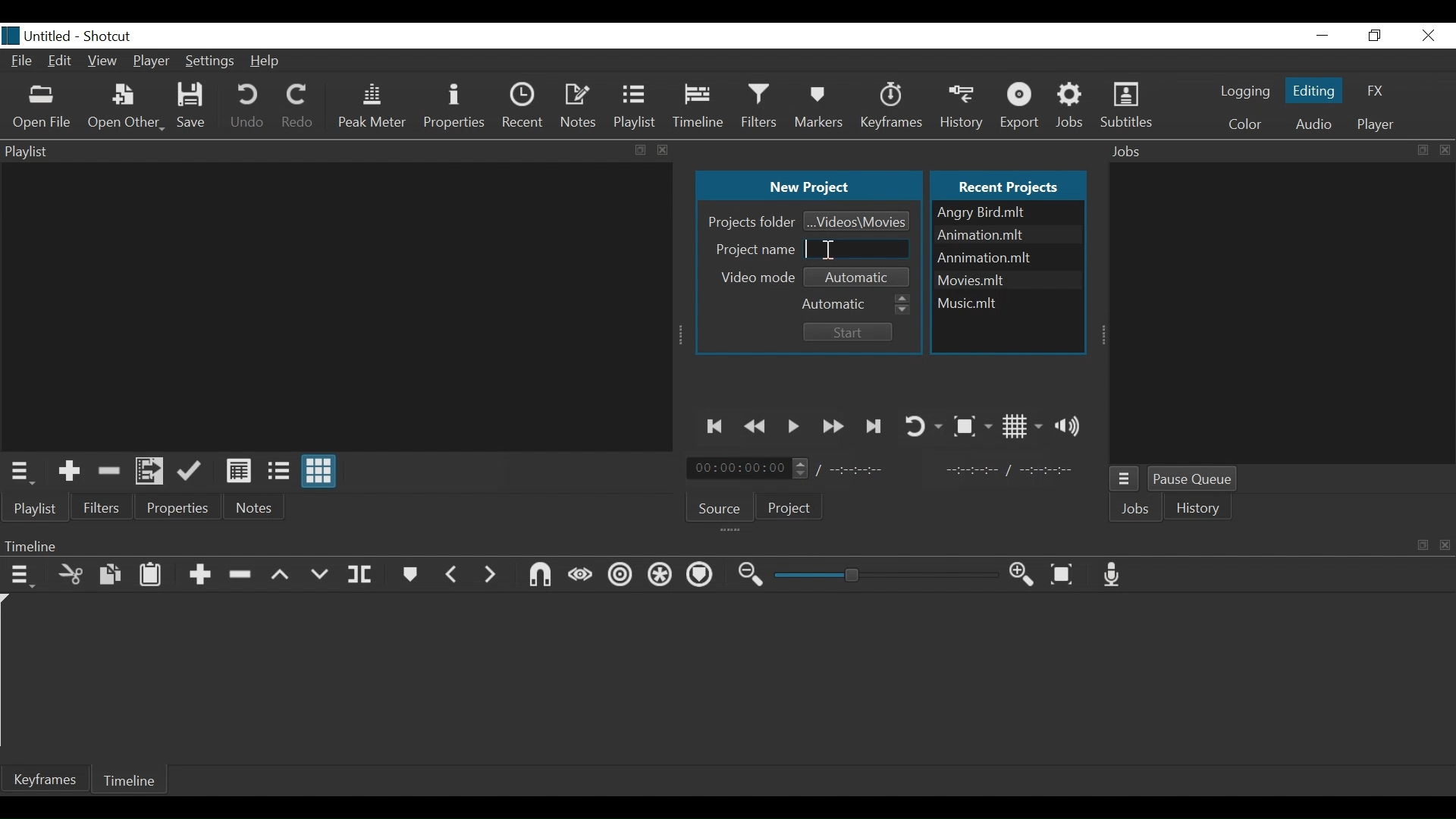 This screenshot has height=819, width=1456. What do you see at coordinates (874, 426) in the screenshot?
I see `Skip to the next point` at bounding box center [874, 426].